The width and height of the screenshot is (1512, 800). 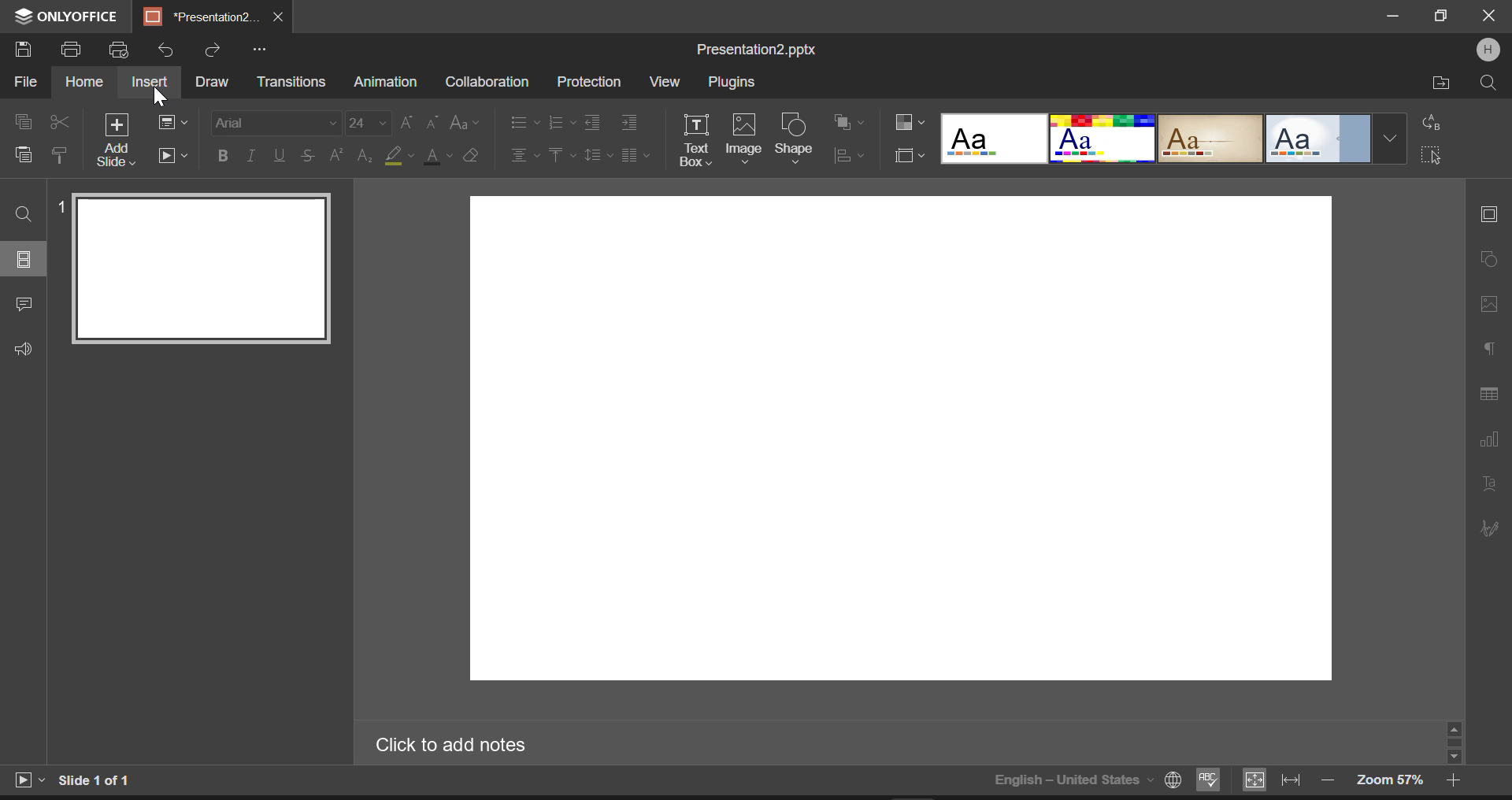 What do you see at coordinates (365, 154) in the screenshot?
I see `Superscript` at bounding box center [365, 154].